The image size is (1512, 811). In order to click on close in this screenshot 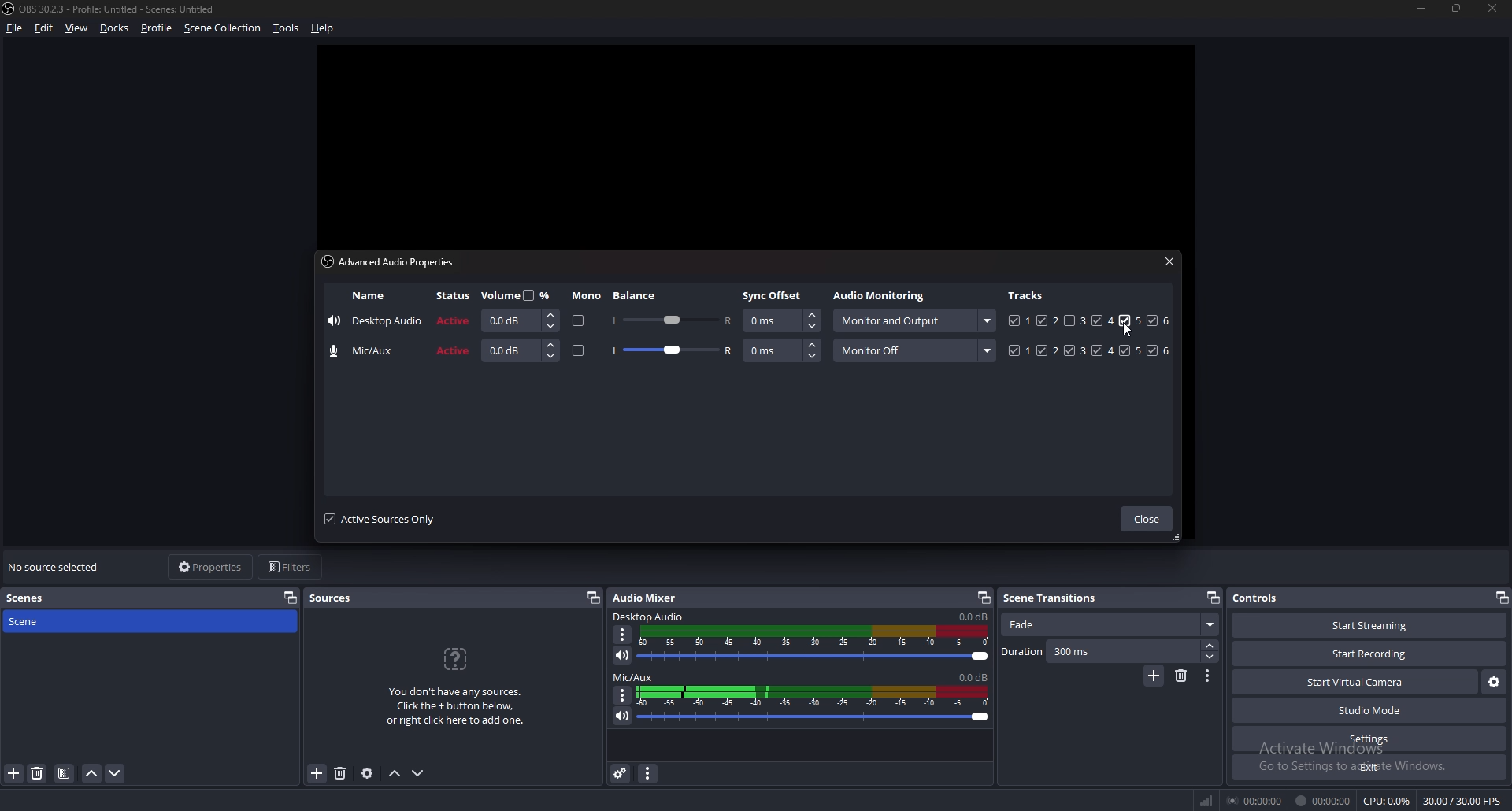, I will do `click(1494, 9)`.